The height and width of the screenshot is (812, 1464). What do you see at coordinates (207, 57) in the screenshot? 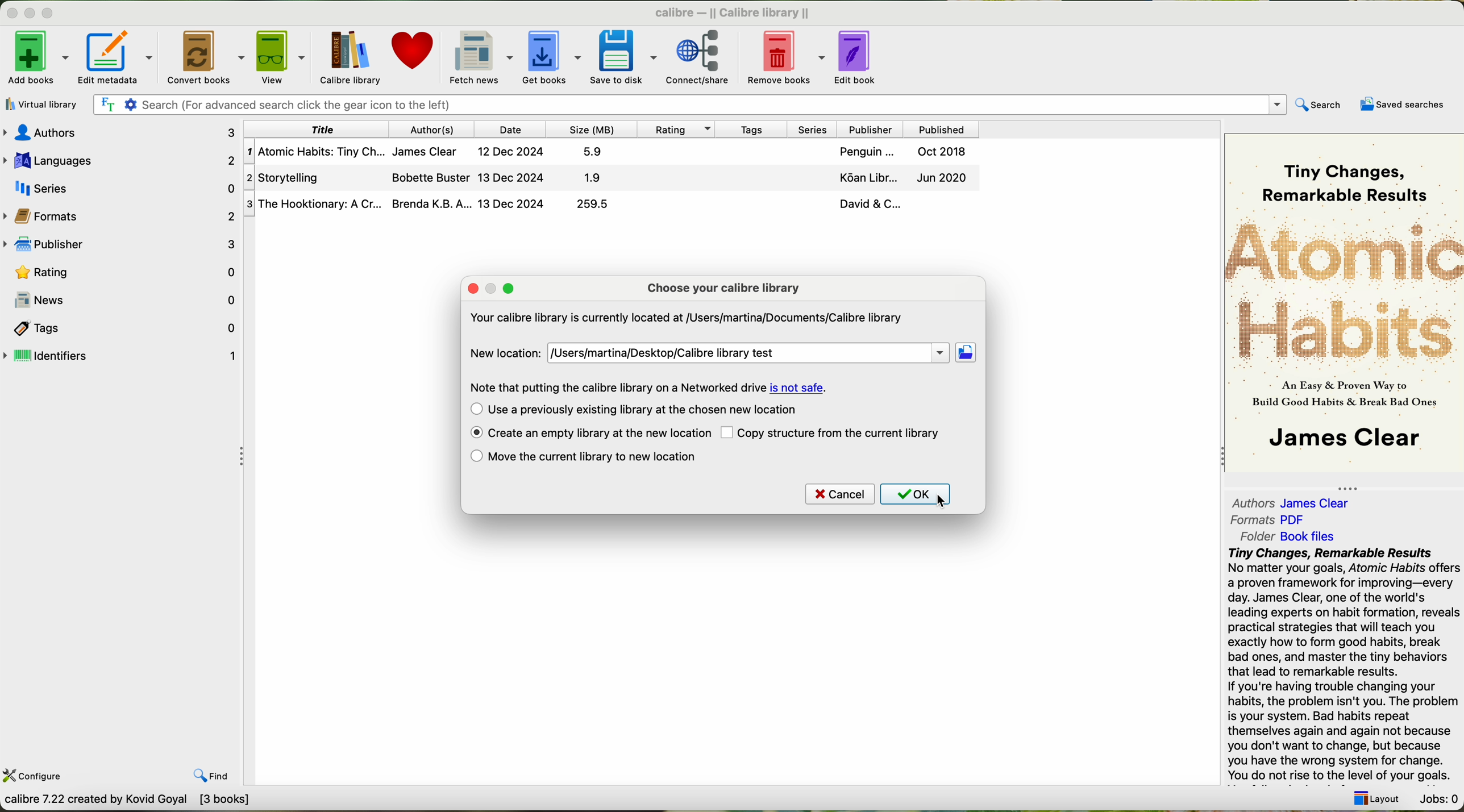
I see `convert books` at bounding box center [207, 57].